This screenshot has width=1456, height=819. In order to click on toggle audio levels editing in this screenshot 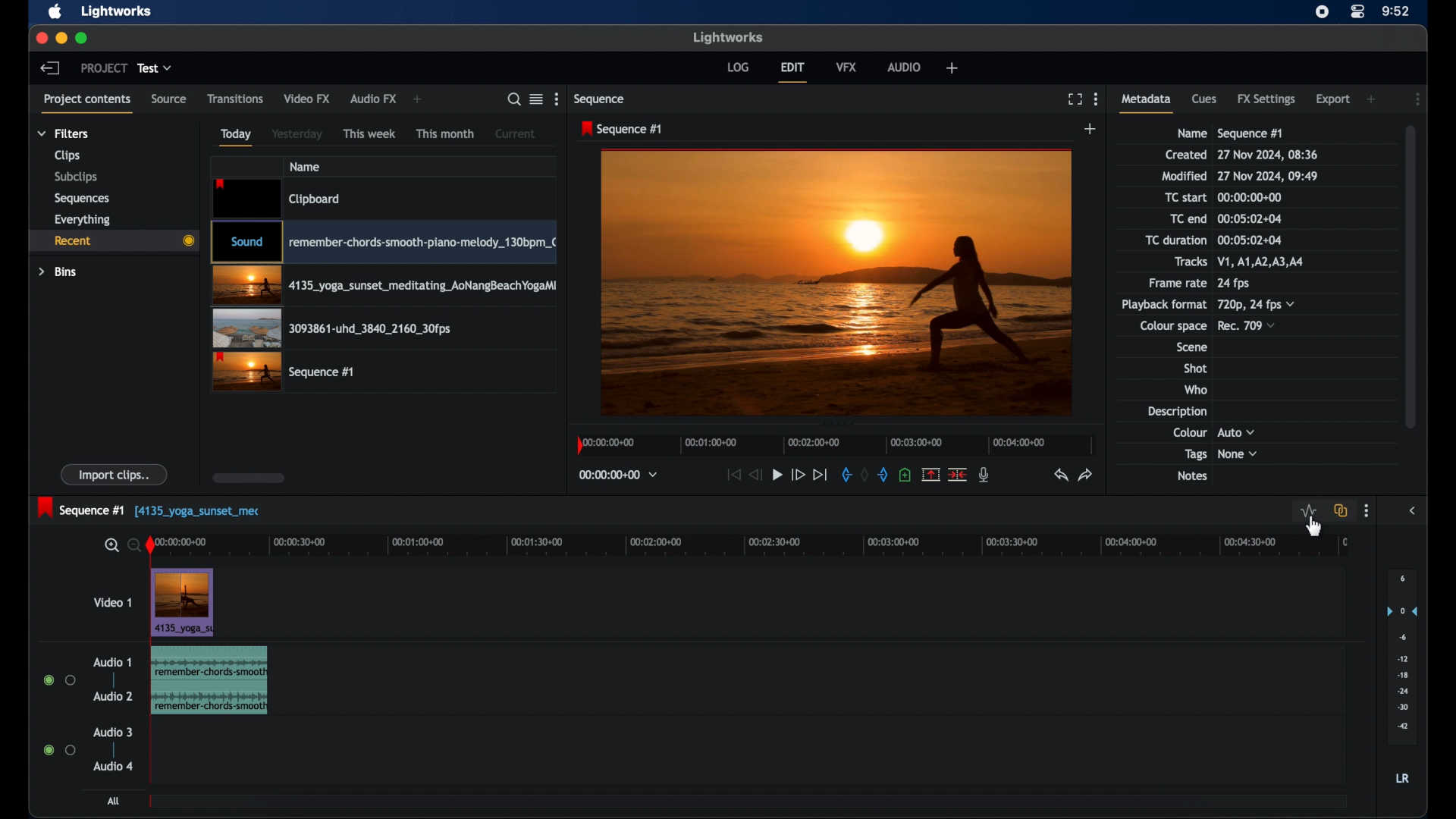, I will do `click(1309, 511)`.